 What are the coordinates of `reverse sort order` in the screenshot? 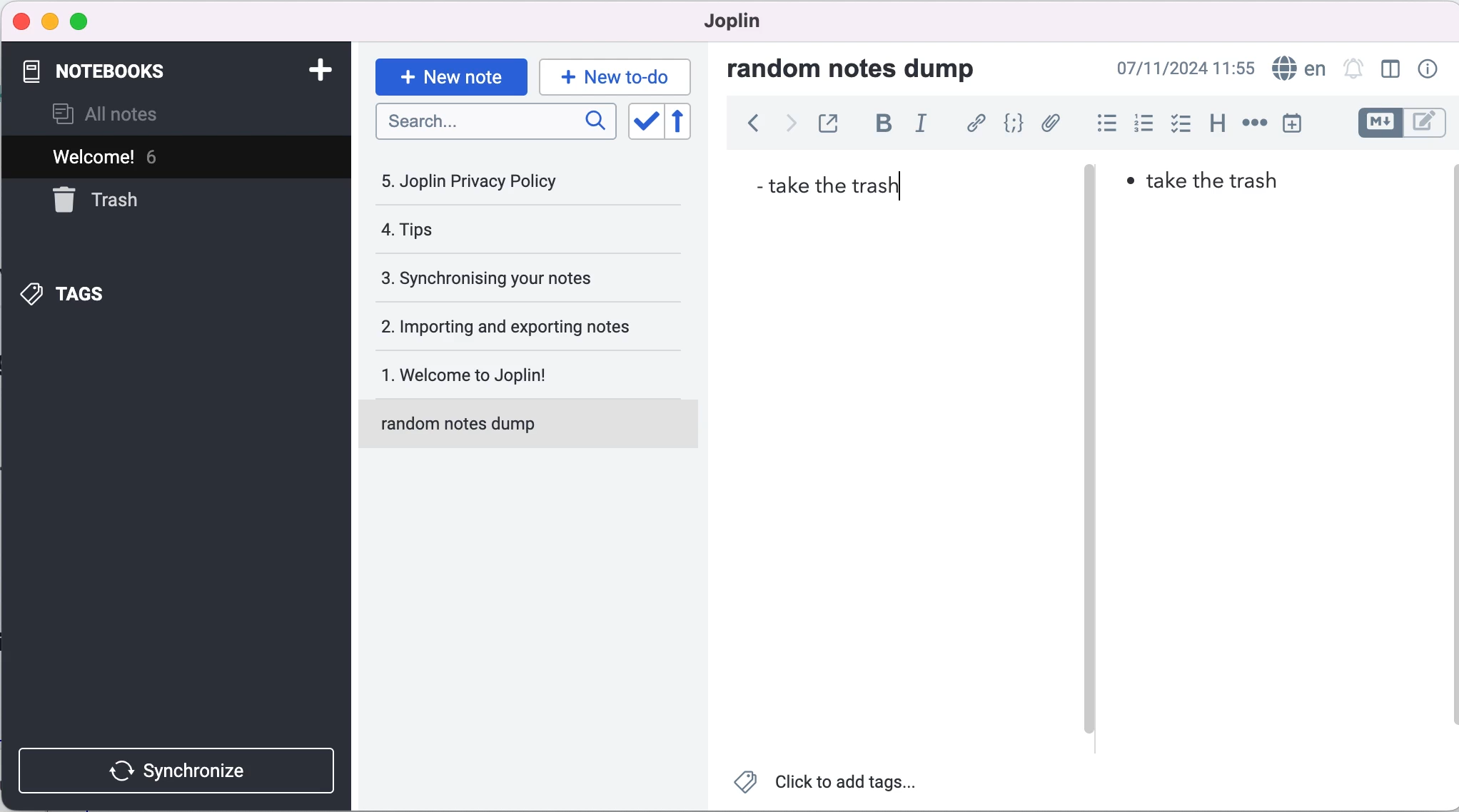 It's located at (690, 122).